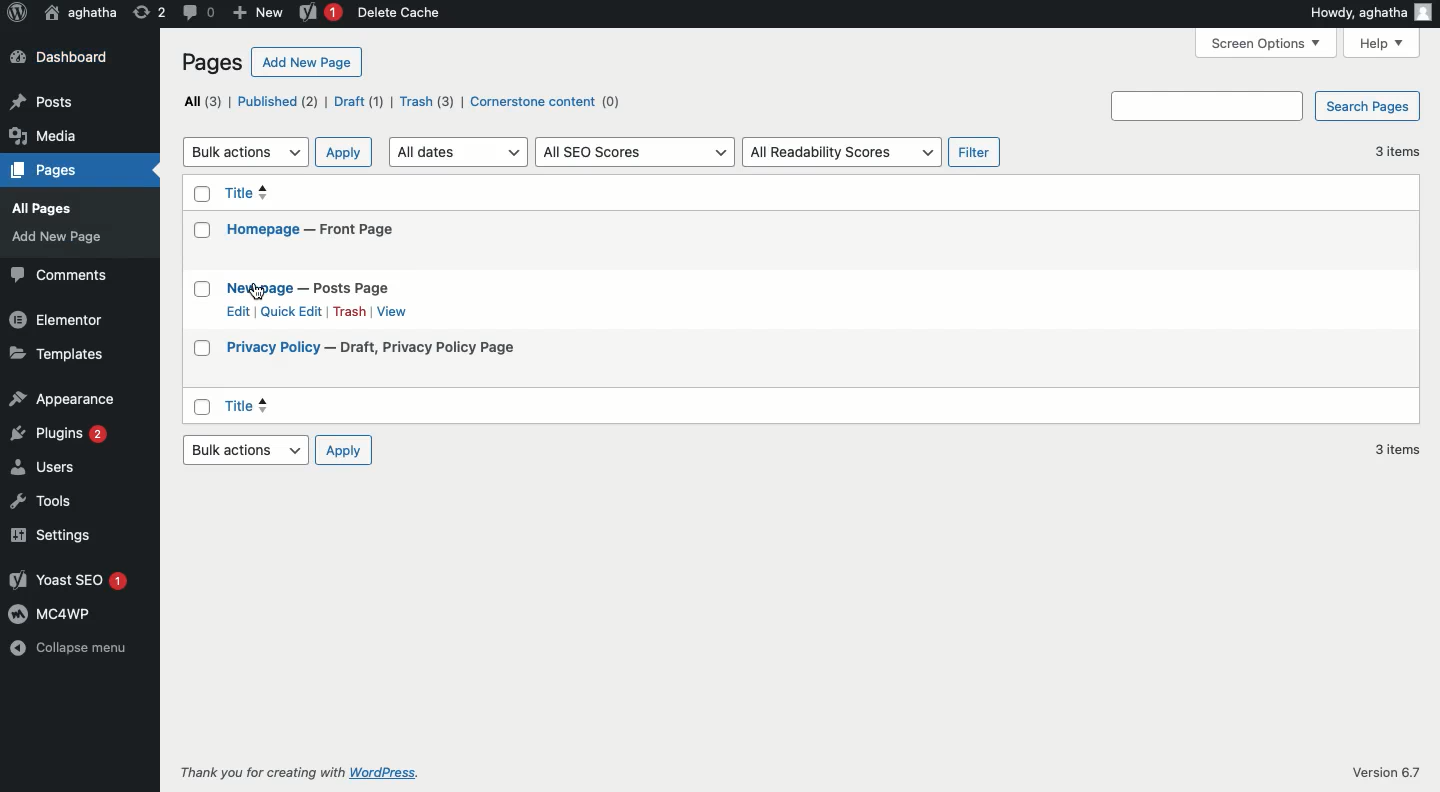 The width and height of the screenshot is (1440, 792). What do you see at coordinates (309, 287) in the screenshot?
I see `New page — Posts Page` at bounding box center [309, 287].